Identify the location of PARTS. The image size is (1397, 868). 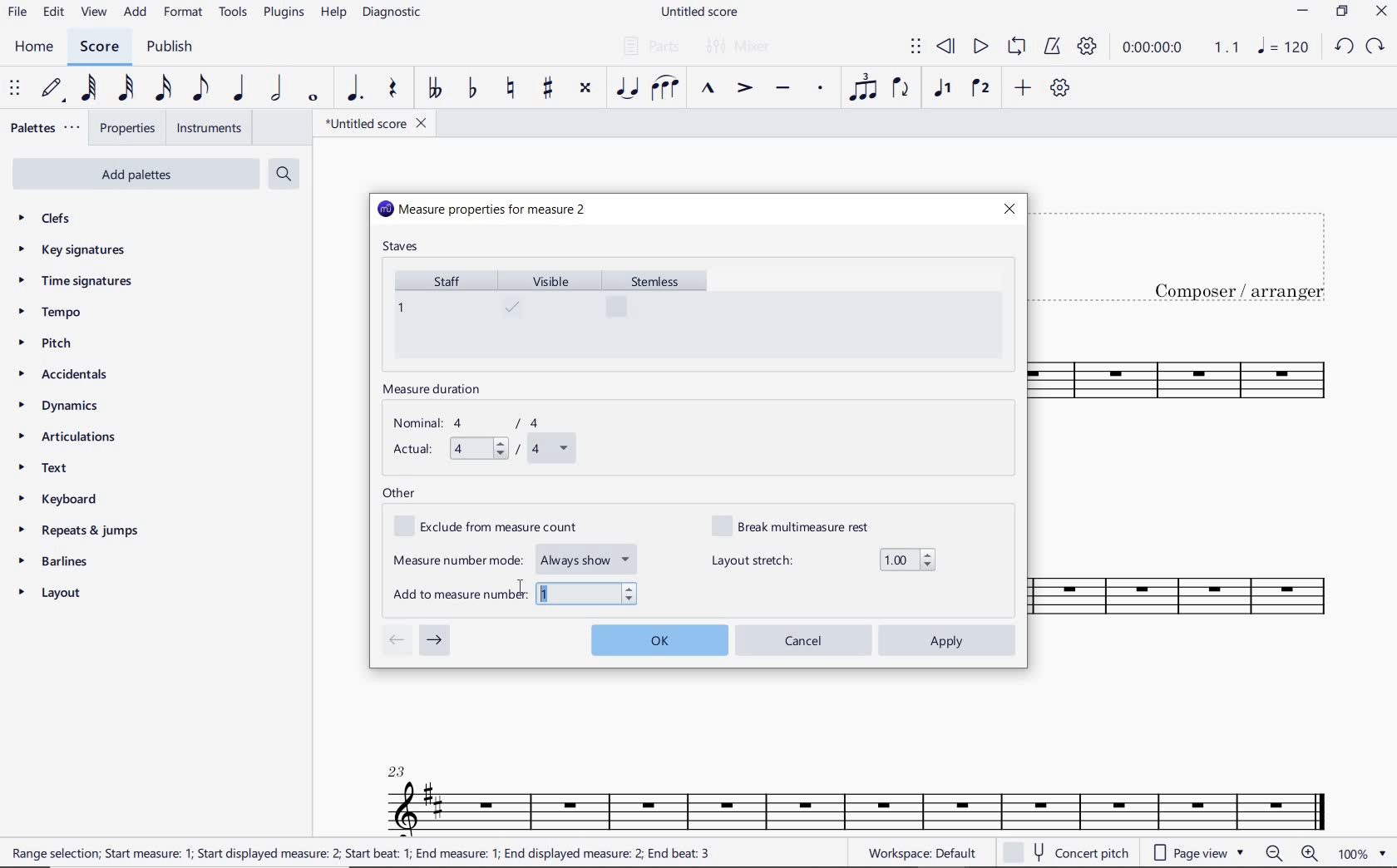
(650, 45).